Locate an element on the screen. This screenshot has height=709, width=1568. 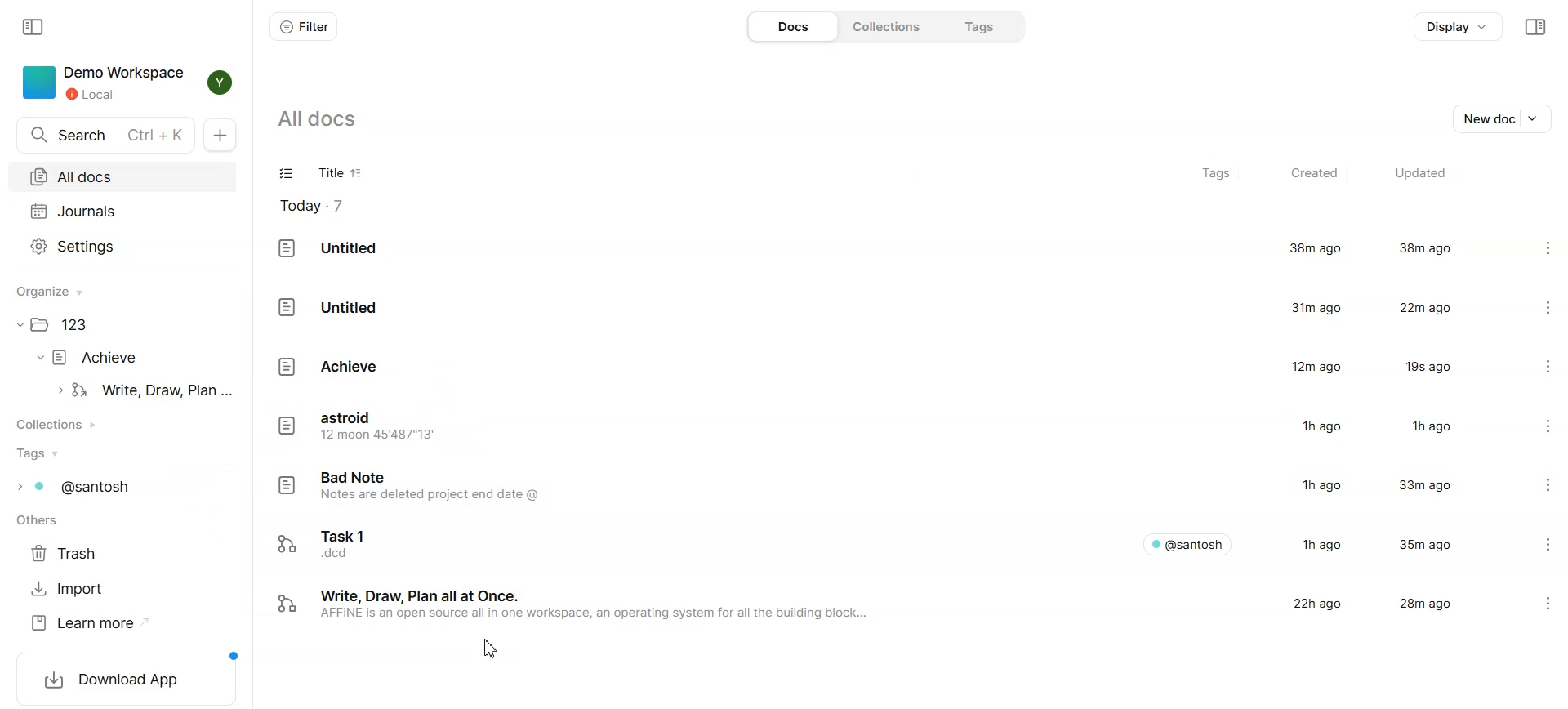
Journals is located at coordinates (122, 211).